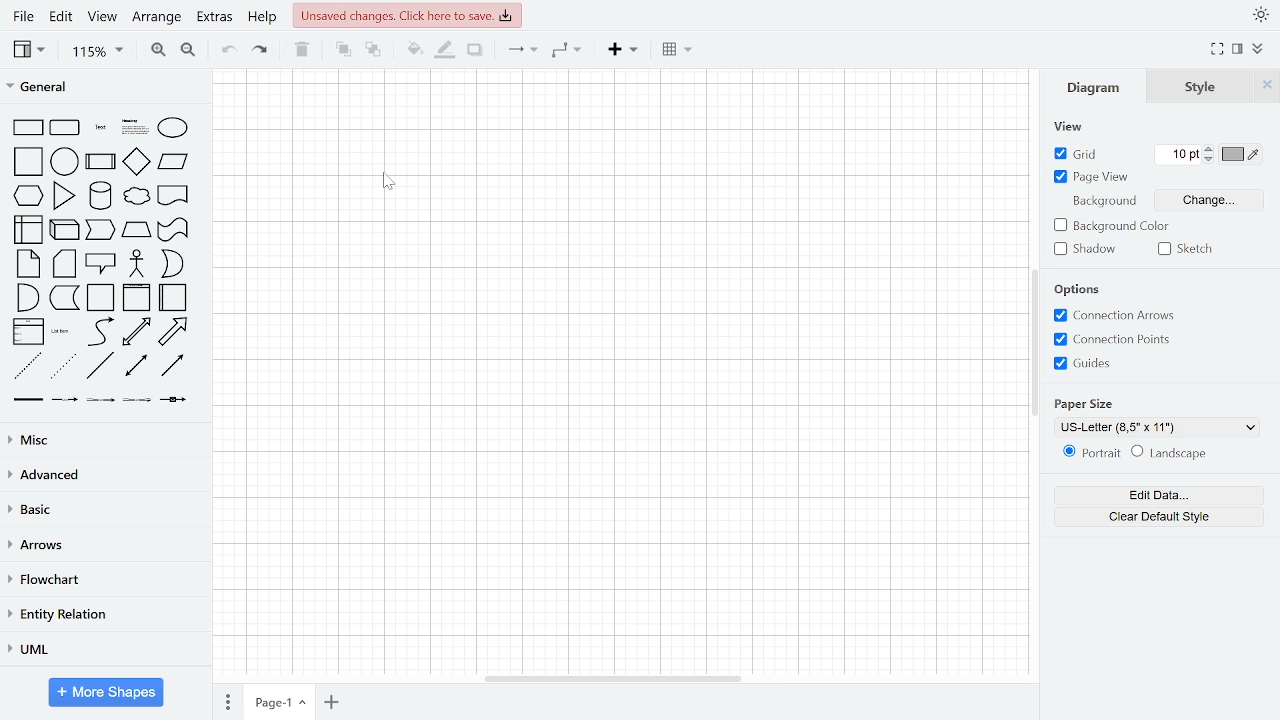  What do you see at coordinates (676, 51) in the screenshot?
I see `table` at bounding box center [676, 51].